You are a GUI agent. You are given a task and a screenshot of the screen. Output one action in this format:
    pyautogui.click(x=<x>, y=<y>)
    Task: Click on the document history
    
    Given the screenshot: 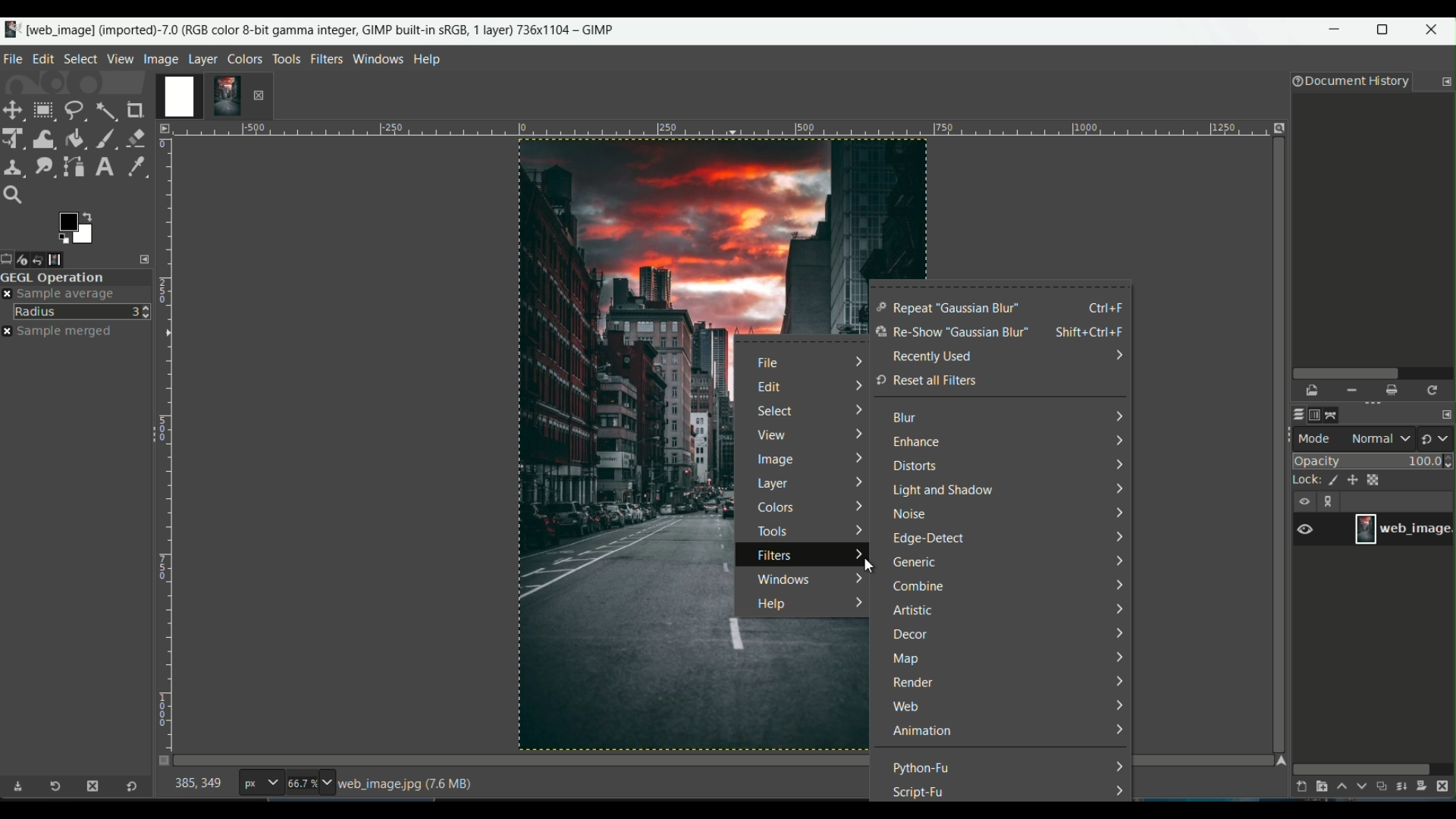 What is the action you would take?
    pyautogui.click(x=1348, y=83)
    